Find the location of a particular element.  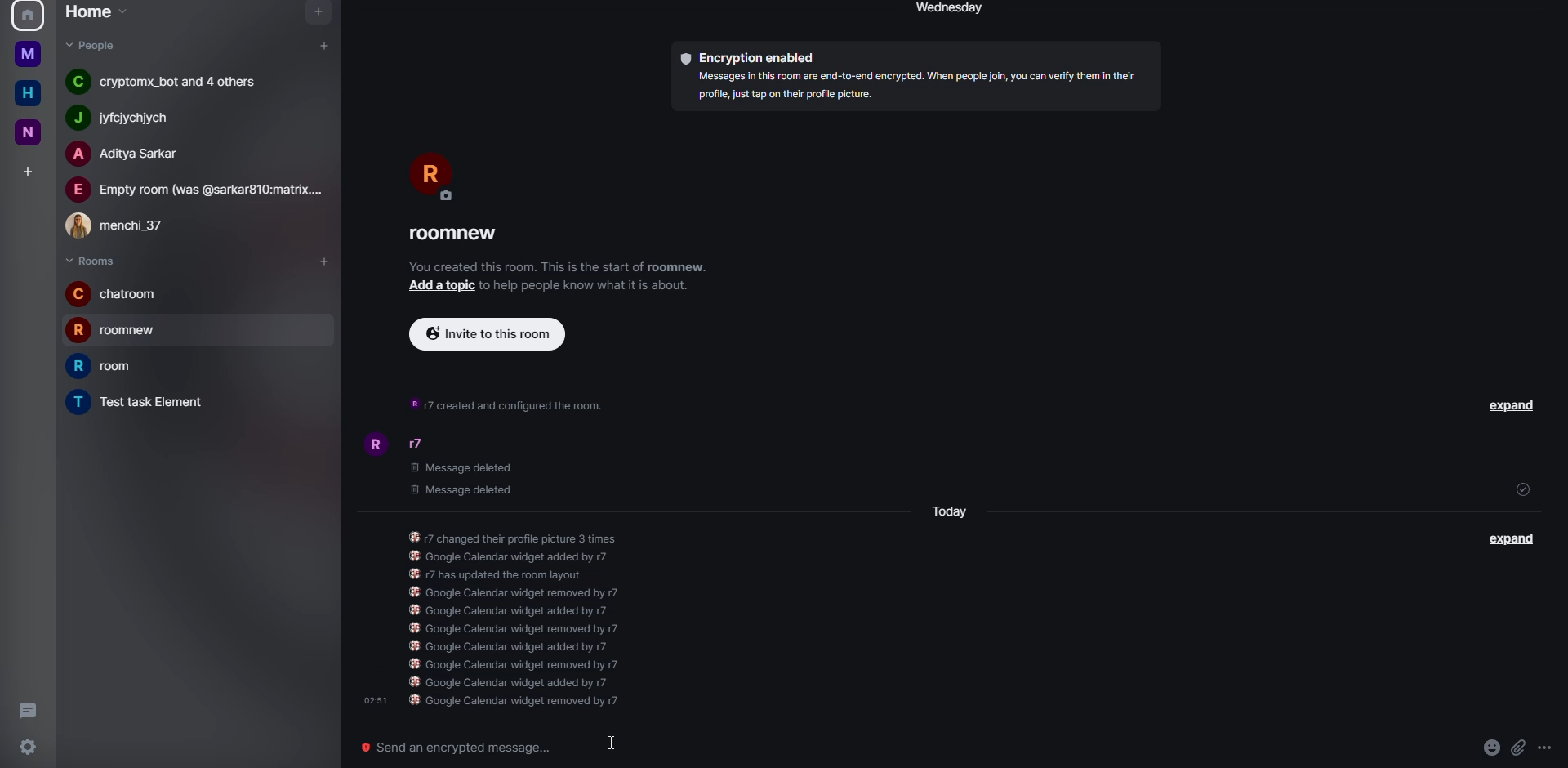

day is located at coordinates (952, 10).